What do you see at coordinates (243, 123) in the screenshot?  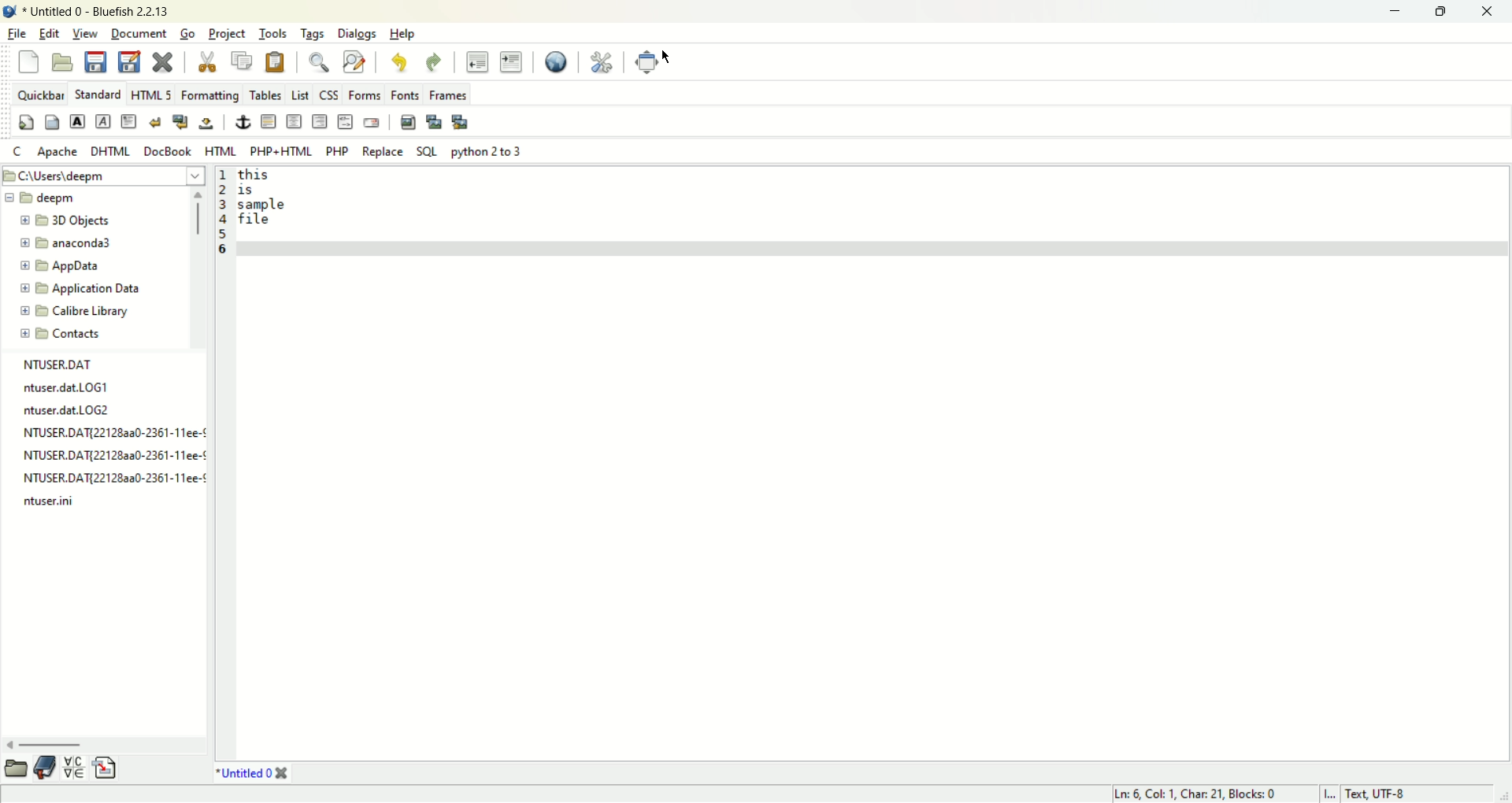 I see `anchor` at bounding box center [243, 123].